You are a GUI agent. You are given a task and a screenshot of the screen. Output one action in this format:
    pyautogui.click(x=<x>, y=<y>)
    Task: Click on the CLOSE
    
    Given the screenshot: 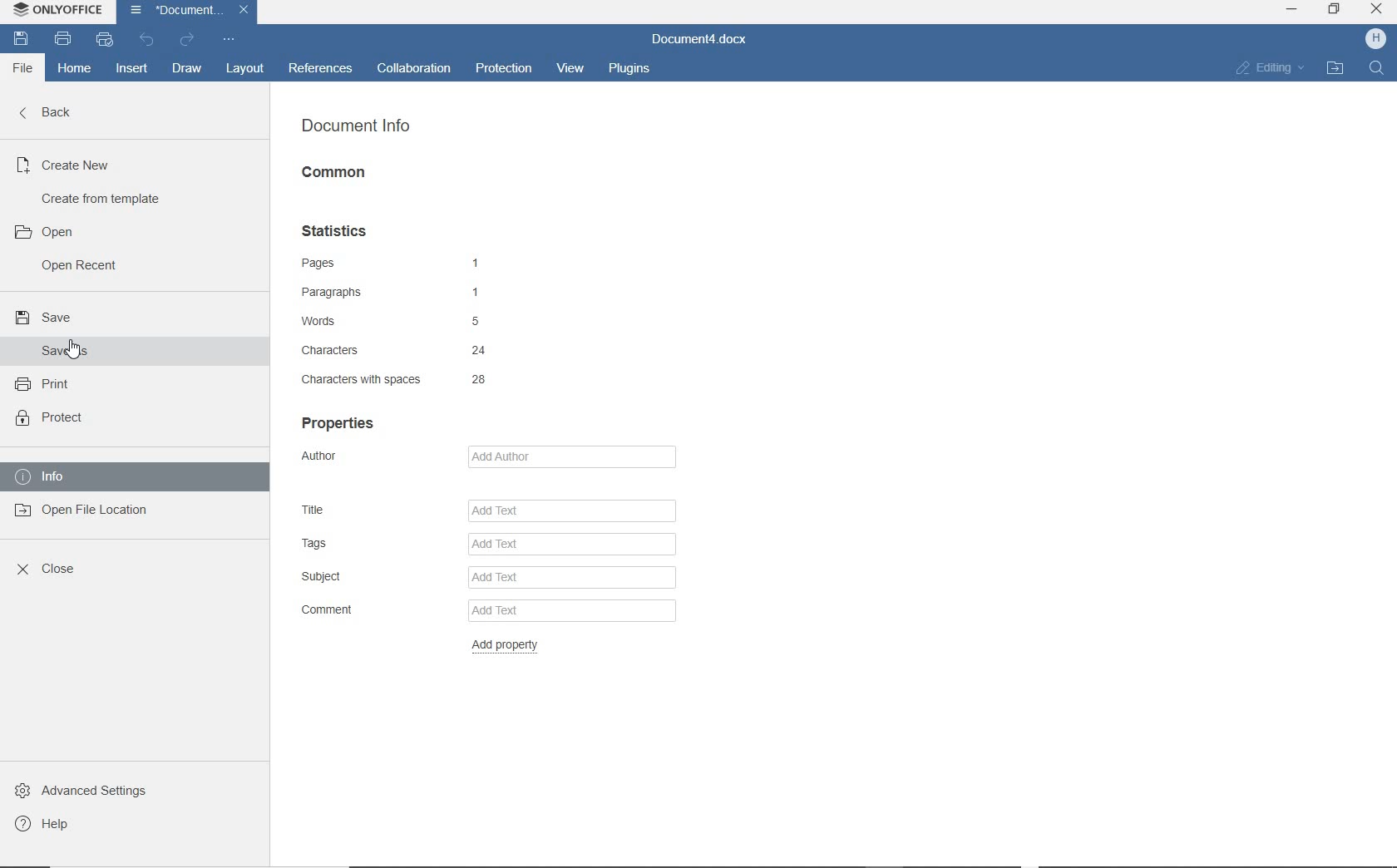 What is the action you would take?
    pyautogui.click(x=1377, y=9)
    